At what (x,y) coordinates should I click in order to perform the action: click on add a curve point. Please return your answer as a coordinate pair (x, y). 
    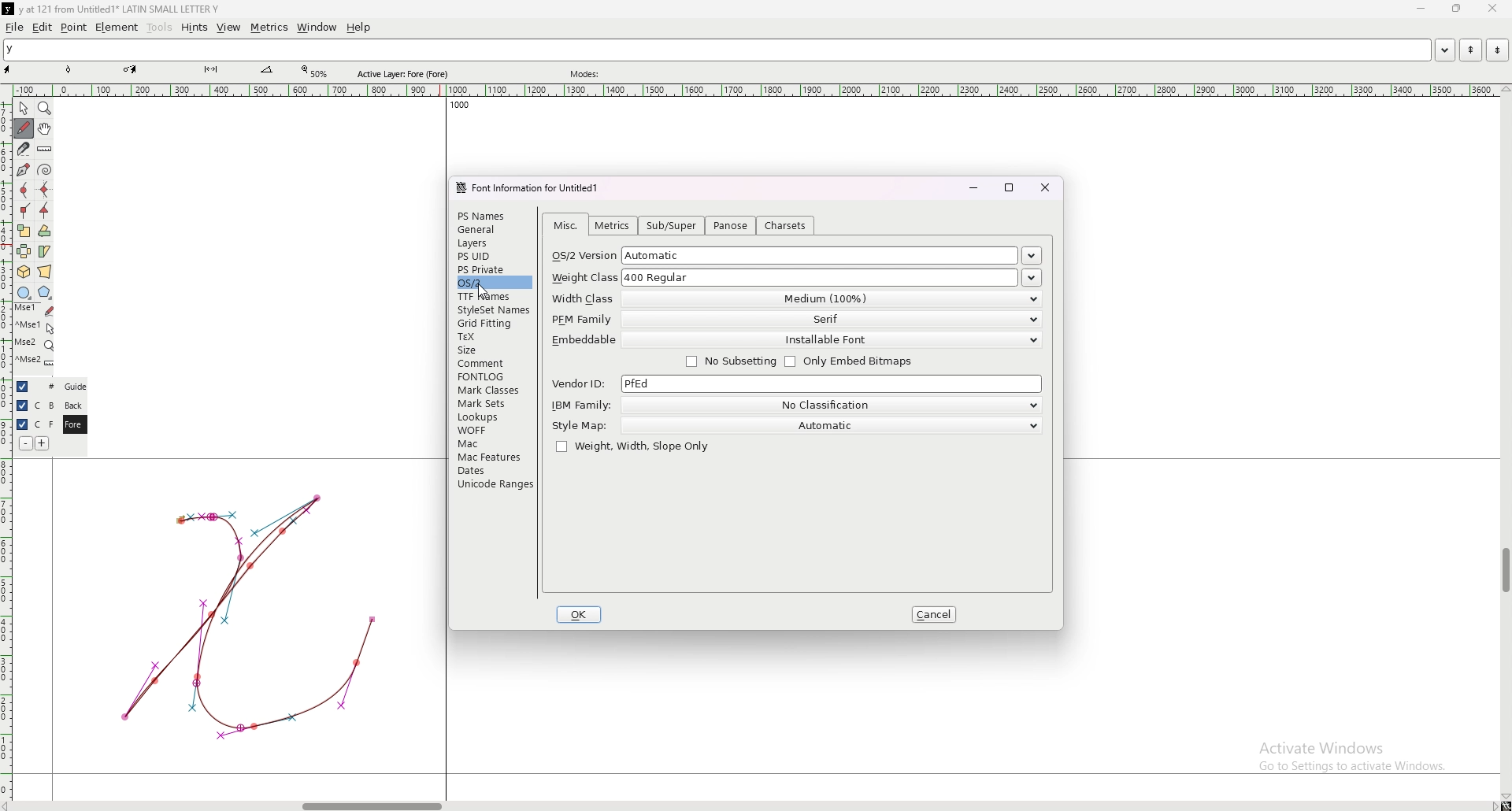
    Looking at the image, I should click on (24, 191).